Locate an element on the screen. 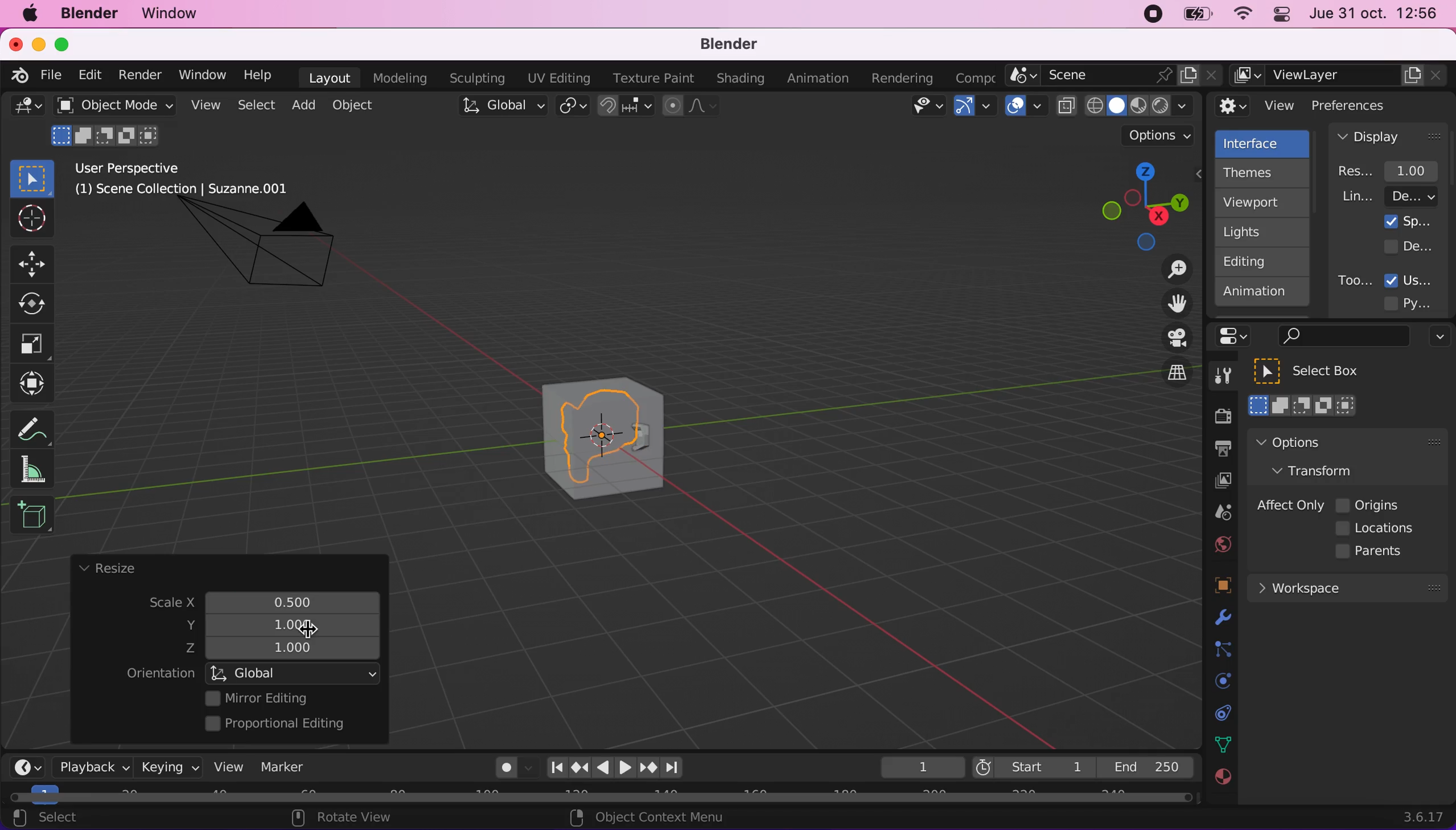 This screenshot has width=1456, height=830. scene is located at coordinates (1218, 513).